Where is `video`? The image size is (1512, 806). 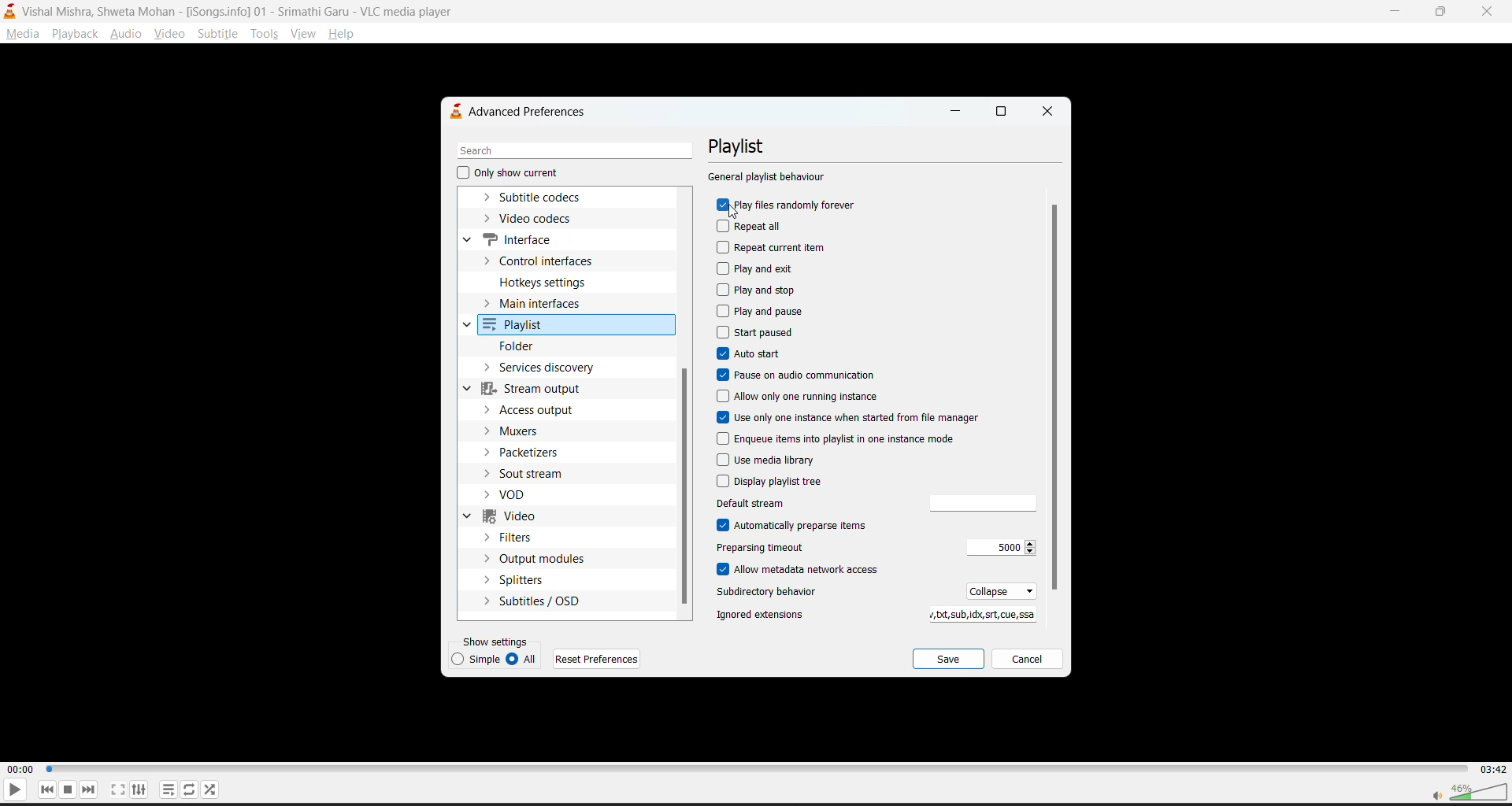 video is located at coordinates (165, 35).